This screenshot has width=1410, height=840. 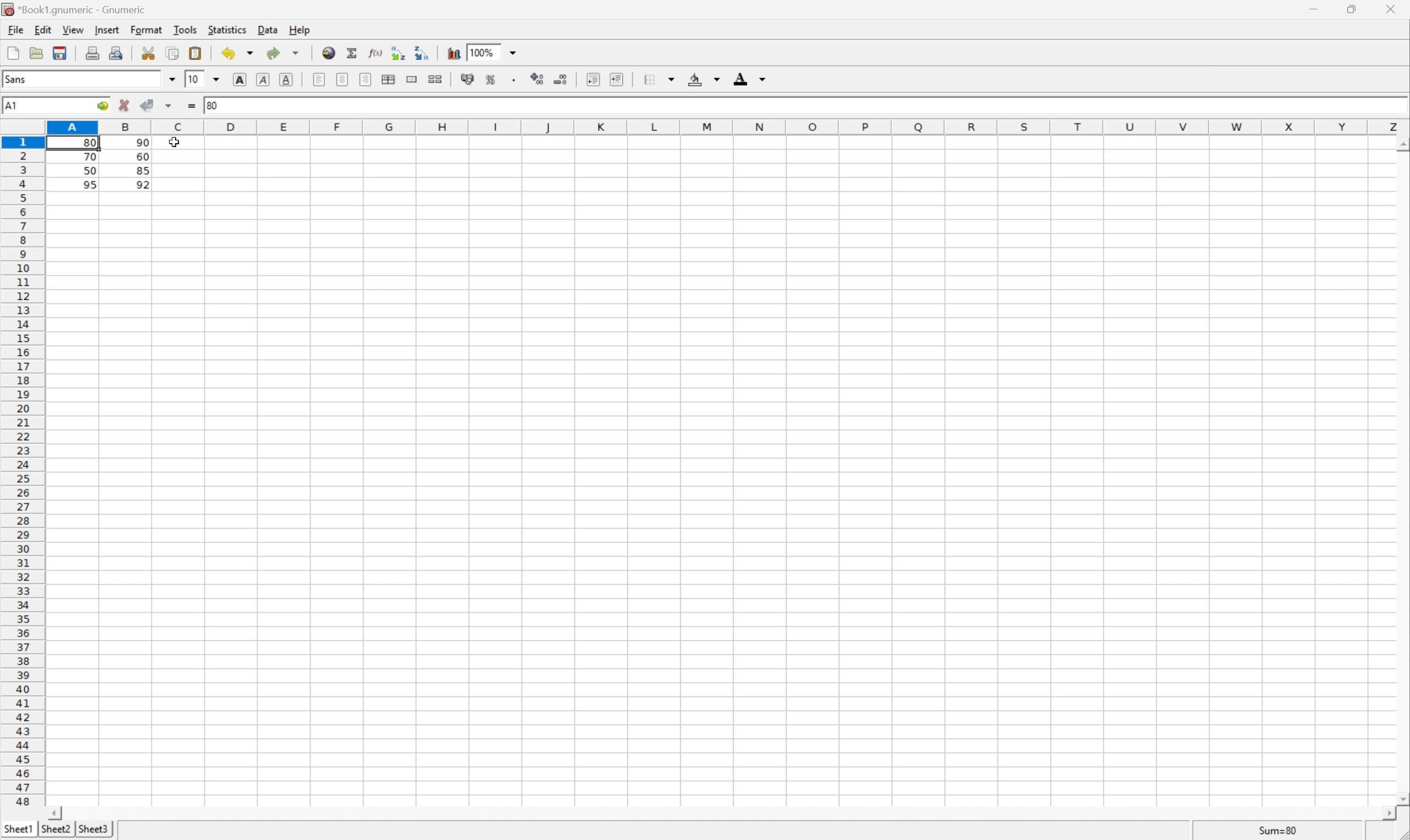 I want to click on Format the selection as percentage, so click(x=493, y=78).